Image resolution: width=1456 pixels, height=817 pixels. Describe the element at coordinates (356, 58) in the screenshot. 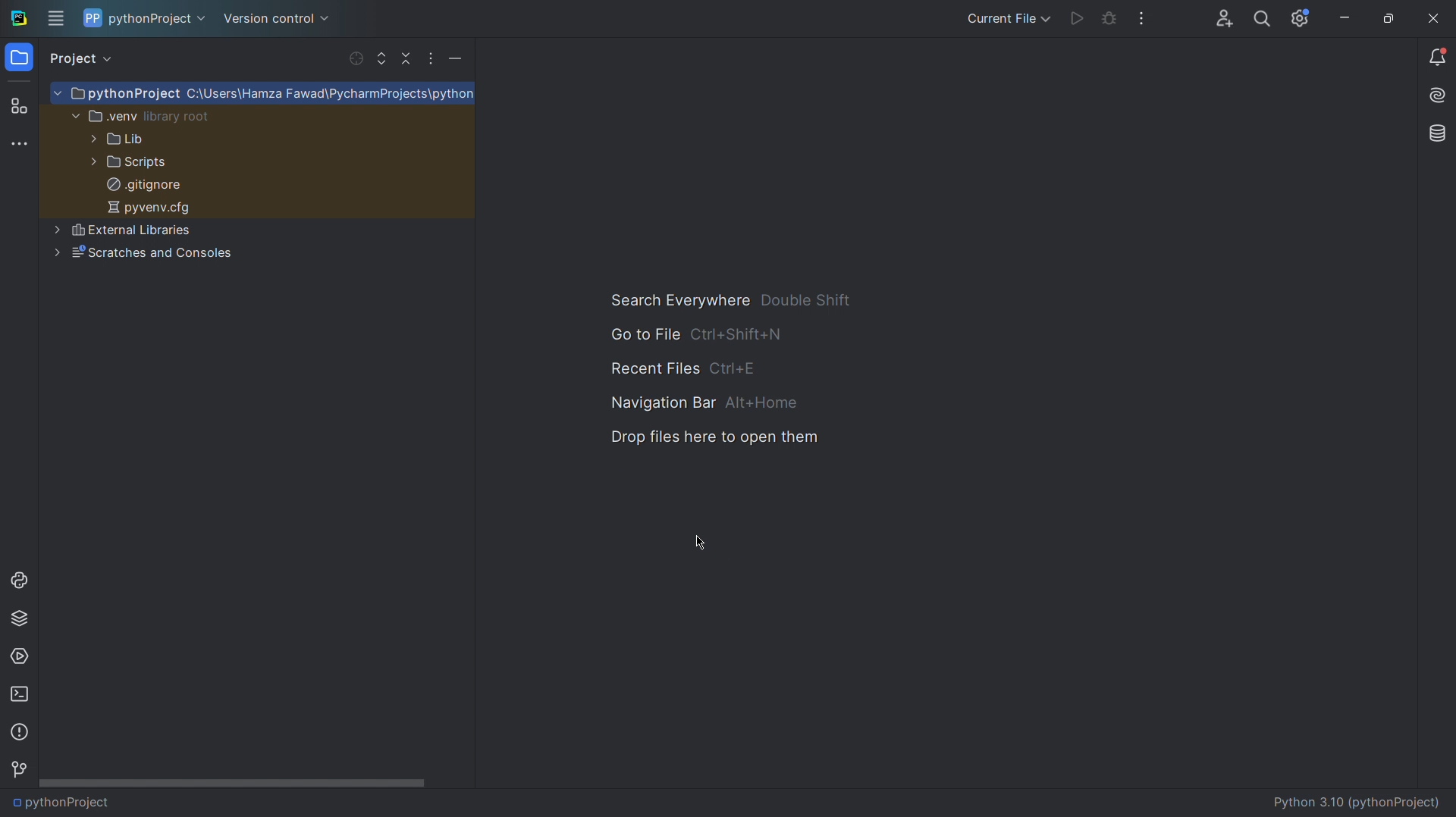

I see `select target` at that location.